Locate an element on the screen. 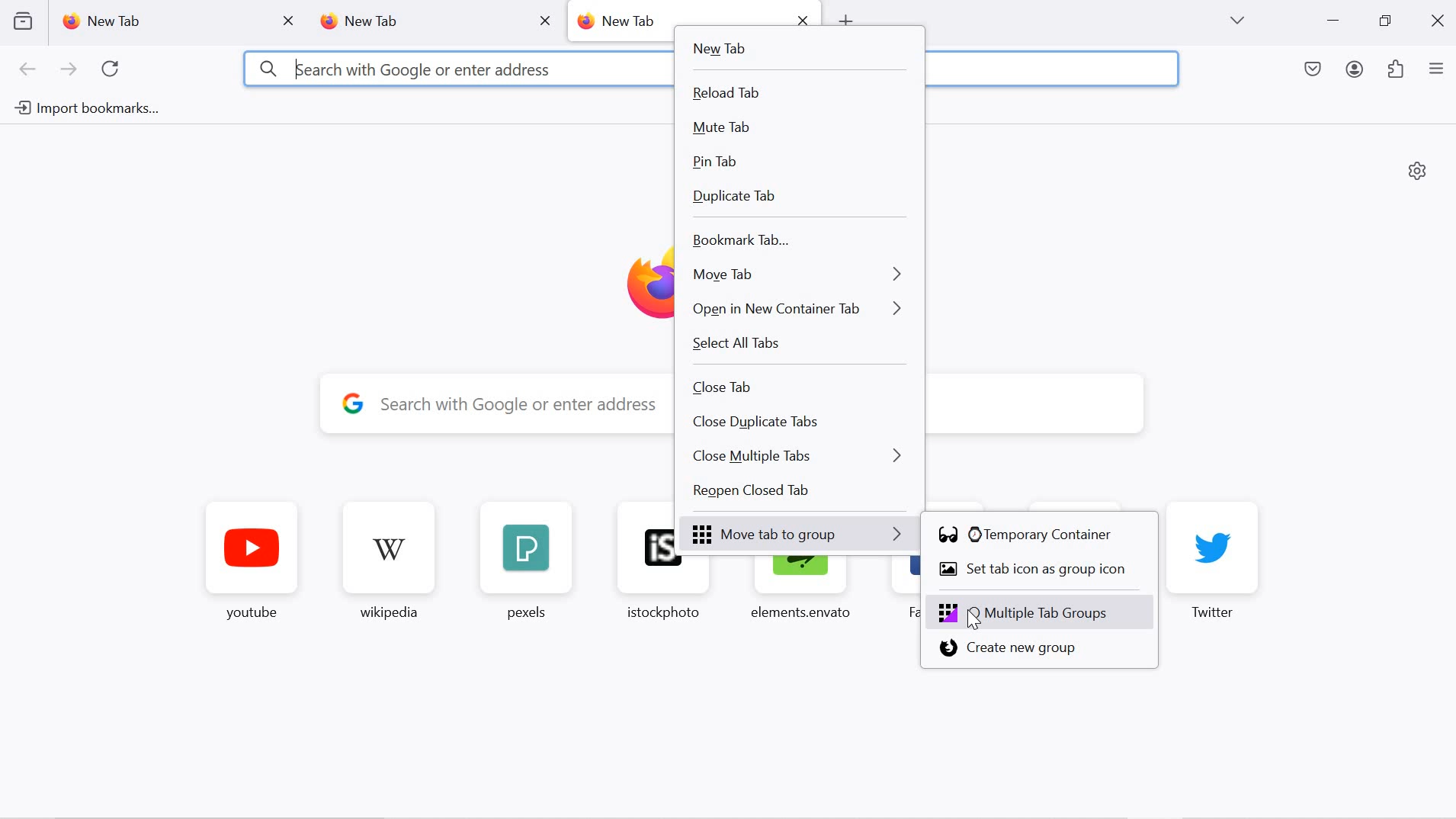  google logo is located at coordinates (353, 402).